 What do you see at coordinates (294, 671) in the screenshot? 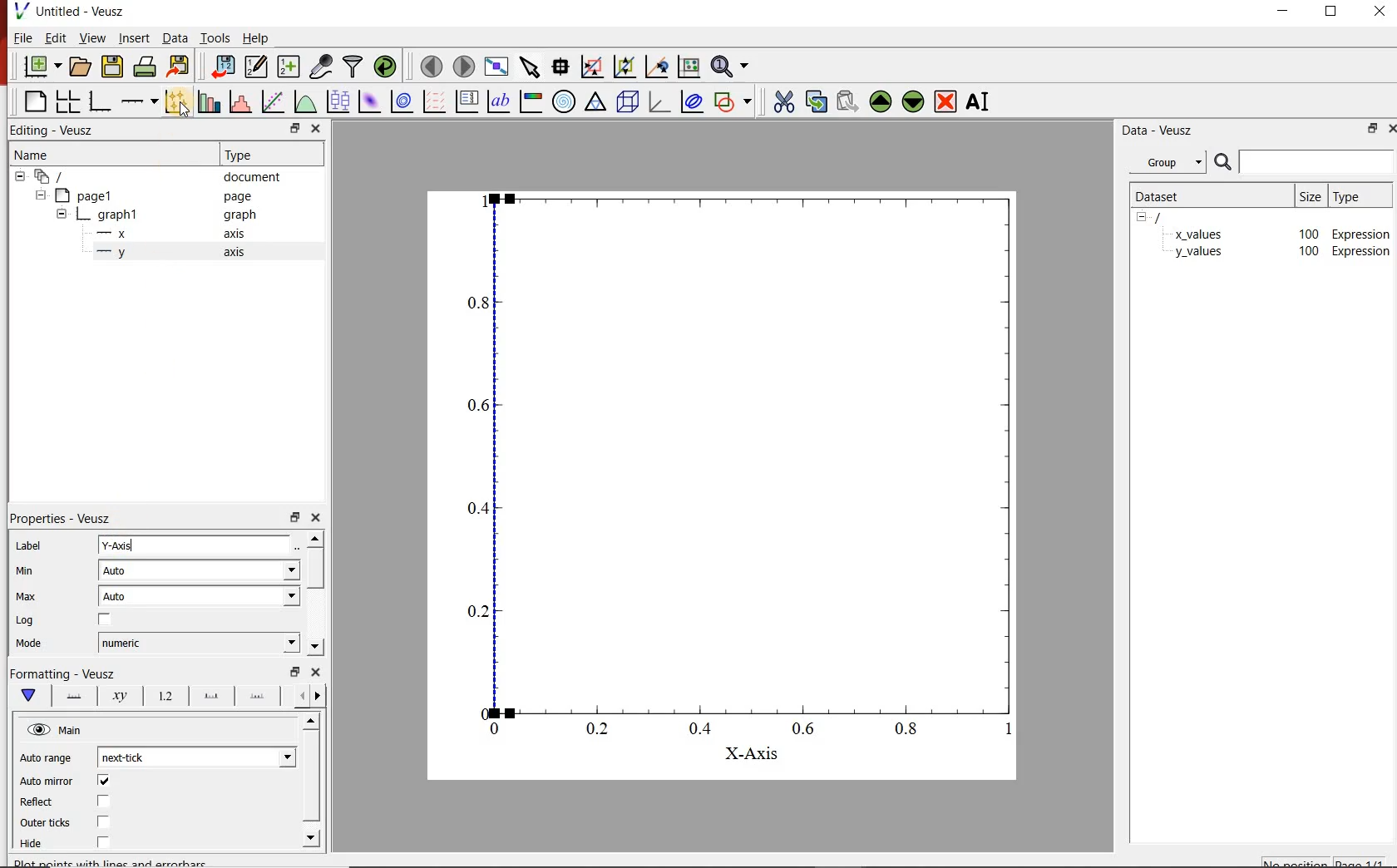
I see `restore down` at bounding box center [294, 671].